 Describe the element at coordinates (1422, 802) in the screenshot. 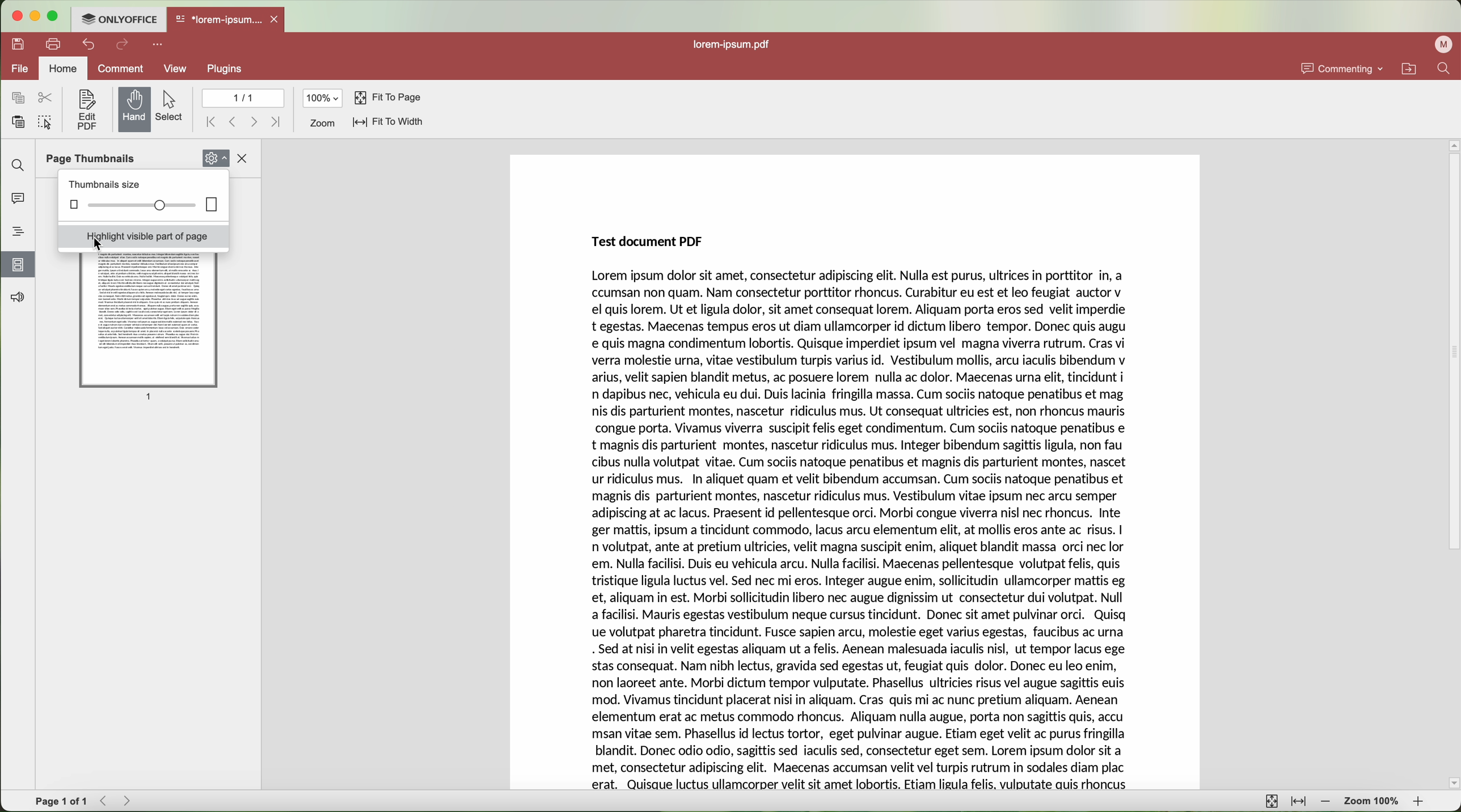

I see `zoom in` at that location.